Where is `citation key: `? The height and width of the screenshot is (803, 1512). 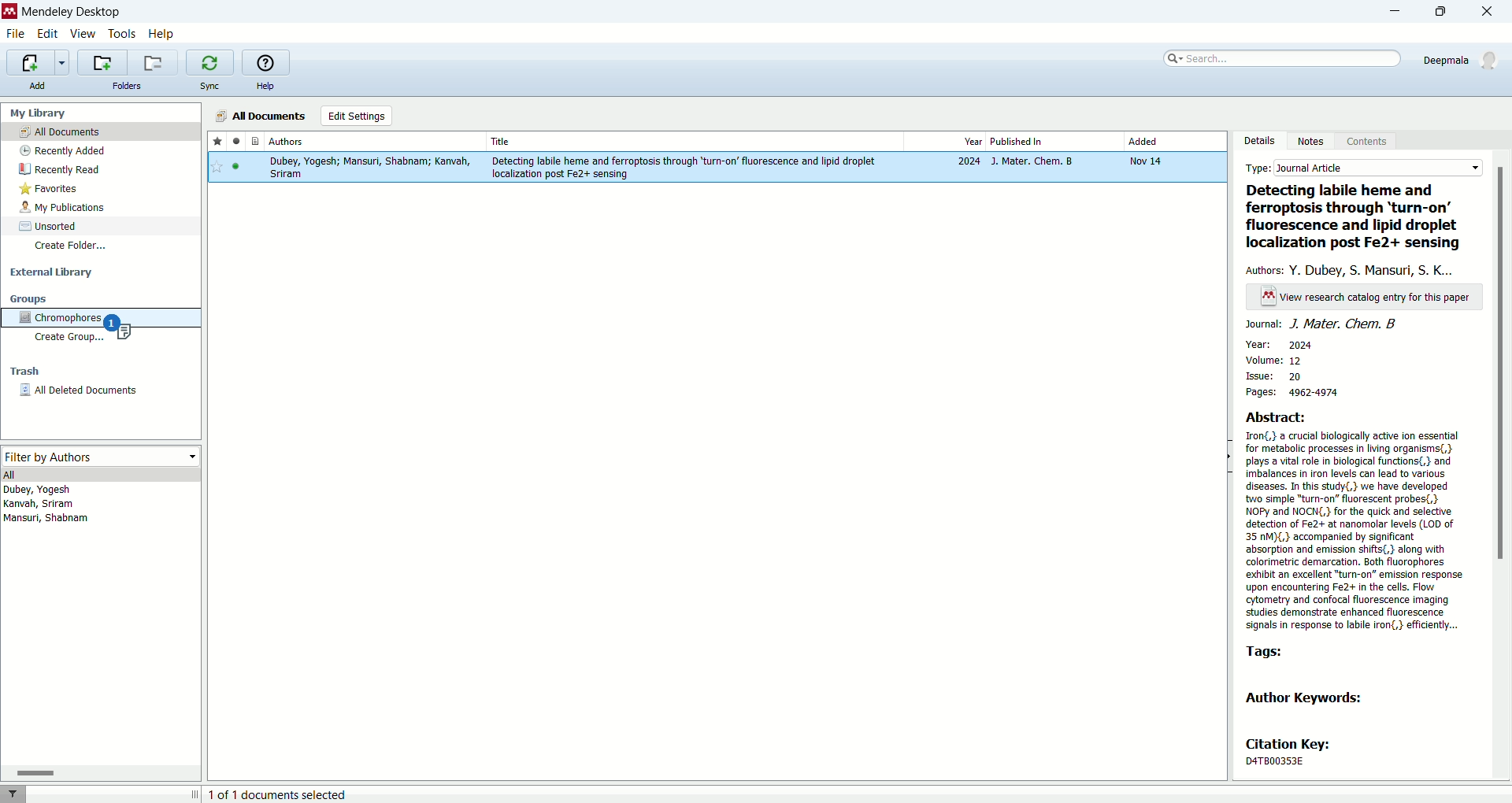 citation key:  is located at coordinates (1295, 744).